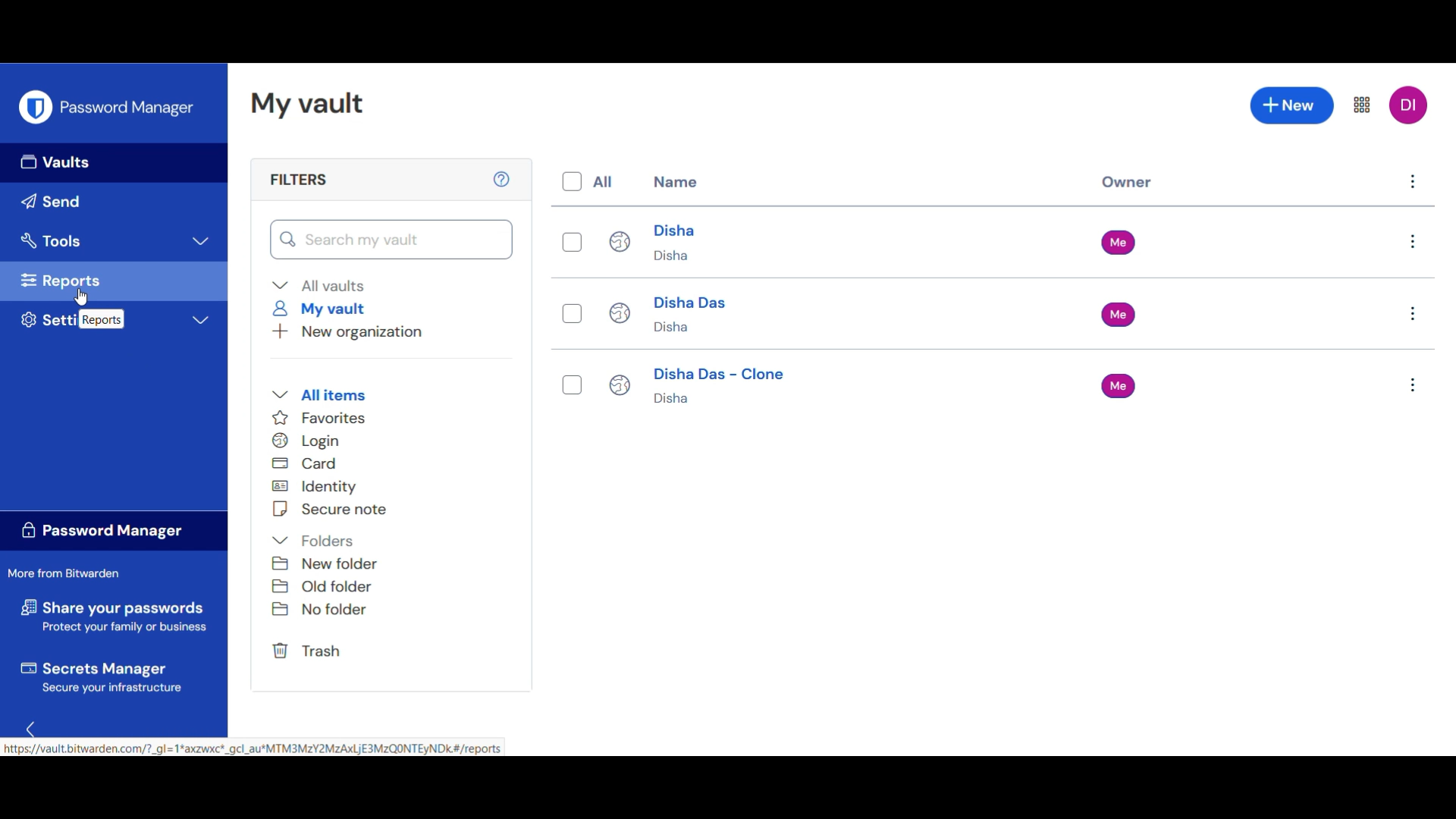 This screenshot has height=819, width=1456. I want to click on share your password, so click(116, 614).